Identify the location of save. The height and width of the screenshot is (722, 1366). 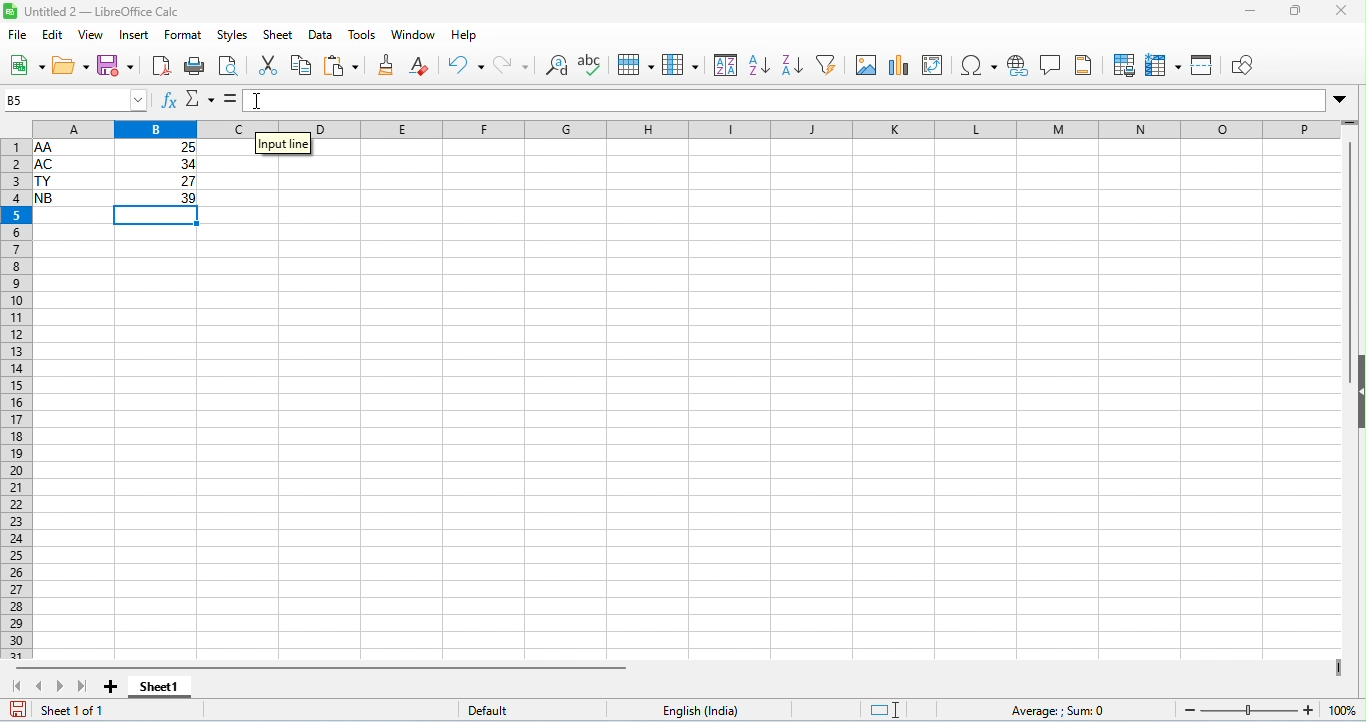
(116, 65).